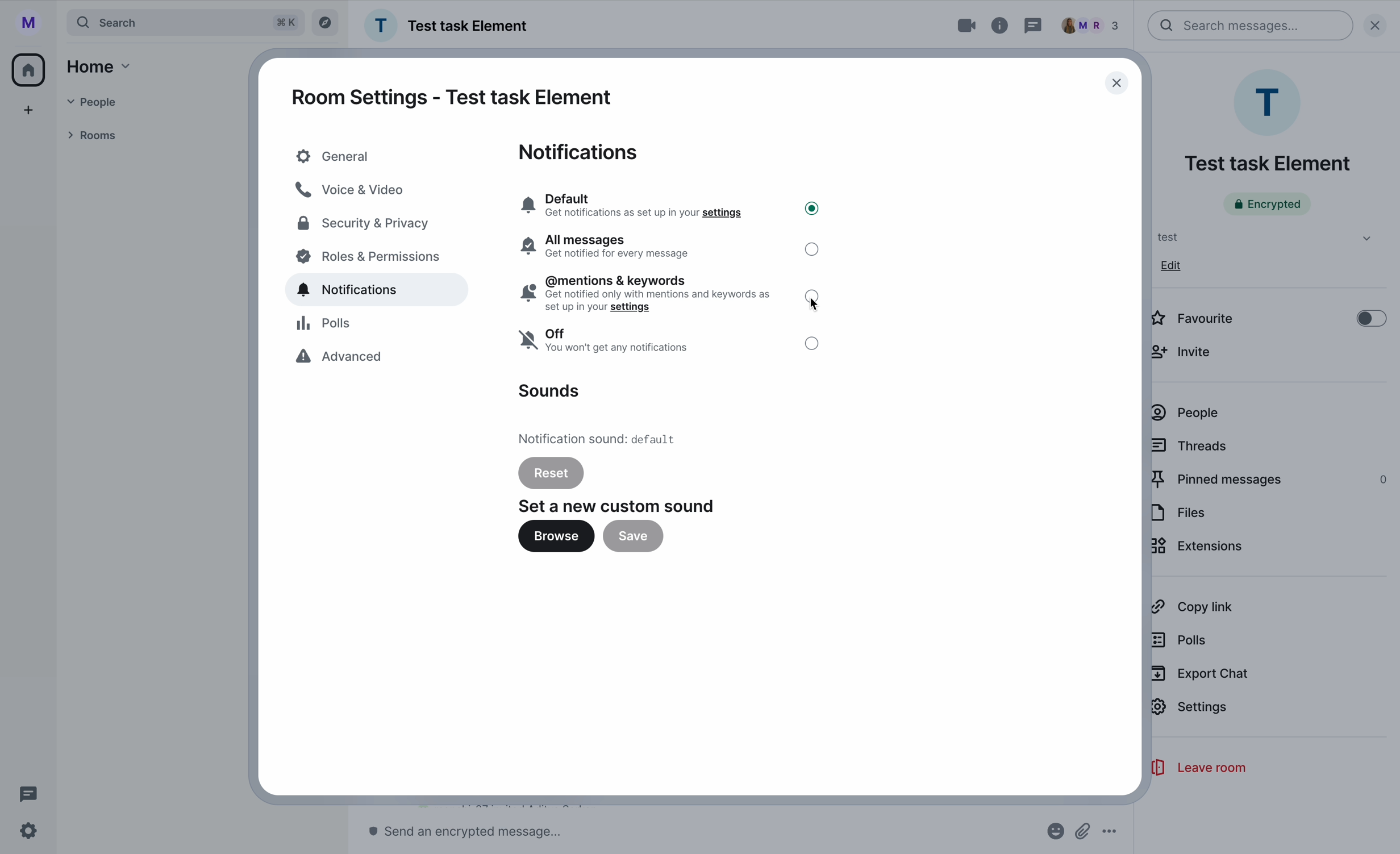  What do you see at coordinates (619, 506) in the screenshot?
I see `set a new custom sound` at bounding box center [619, 506].